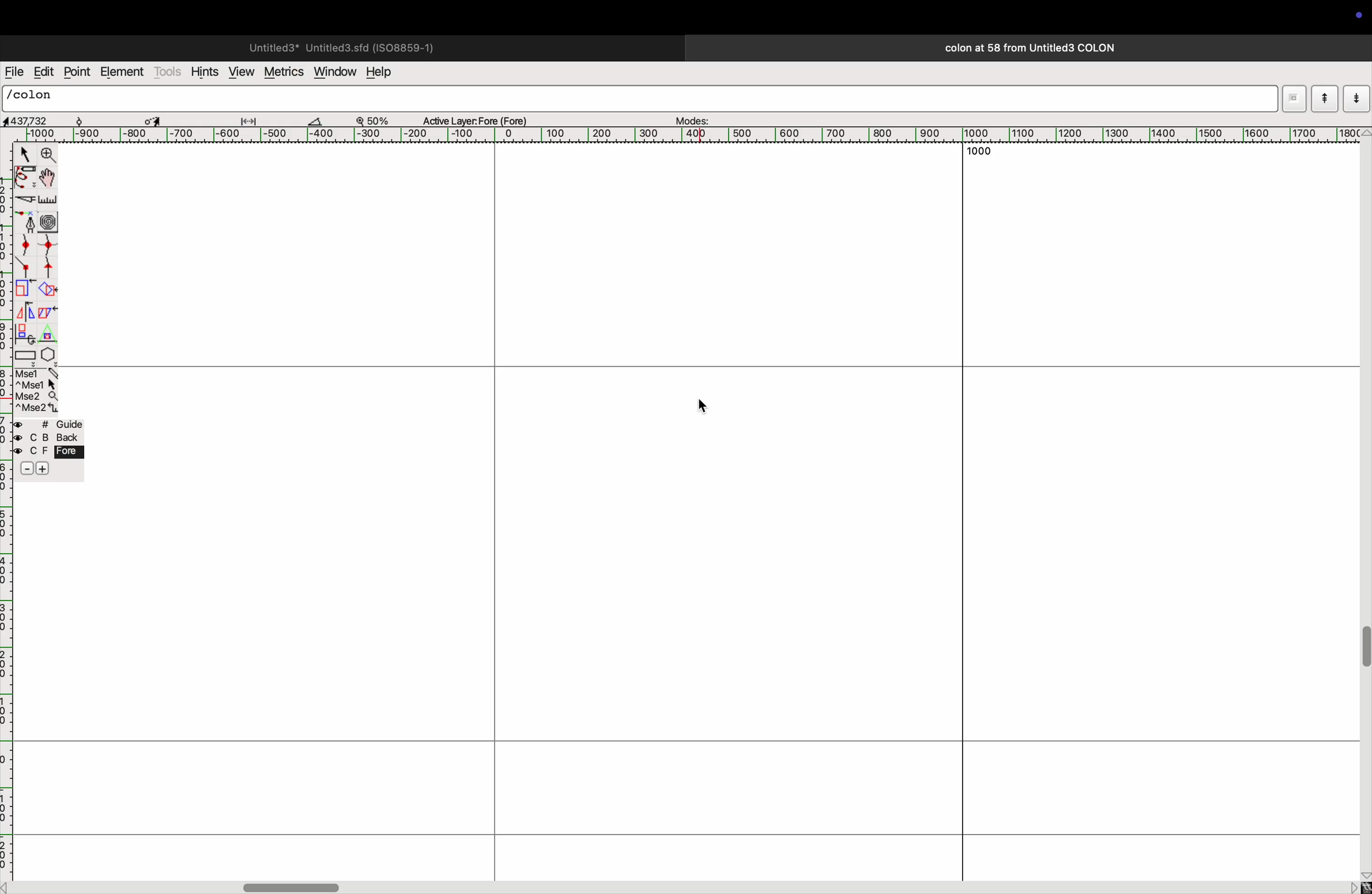  I want to click on knife, so click(24, 201).